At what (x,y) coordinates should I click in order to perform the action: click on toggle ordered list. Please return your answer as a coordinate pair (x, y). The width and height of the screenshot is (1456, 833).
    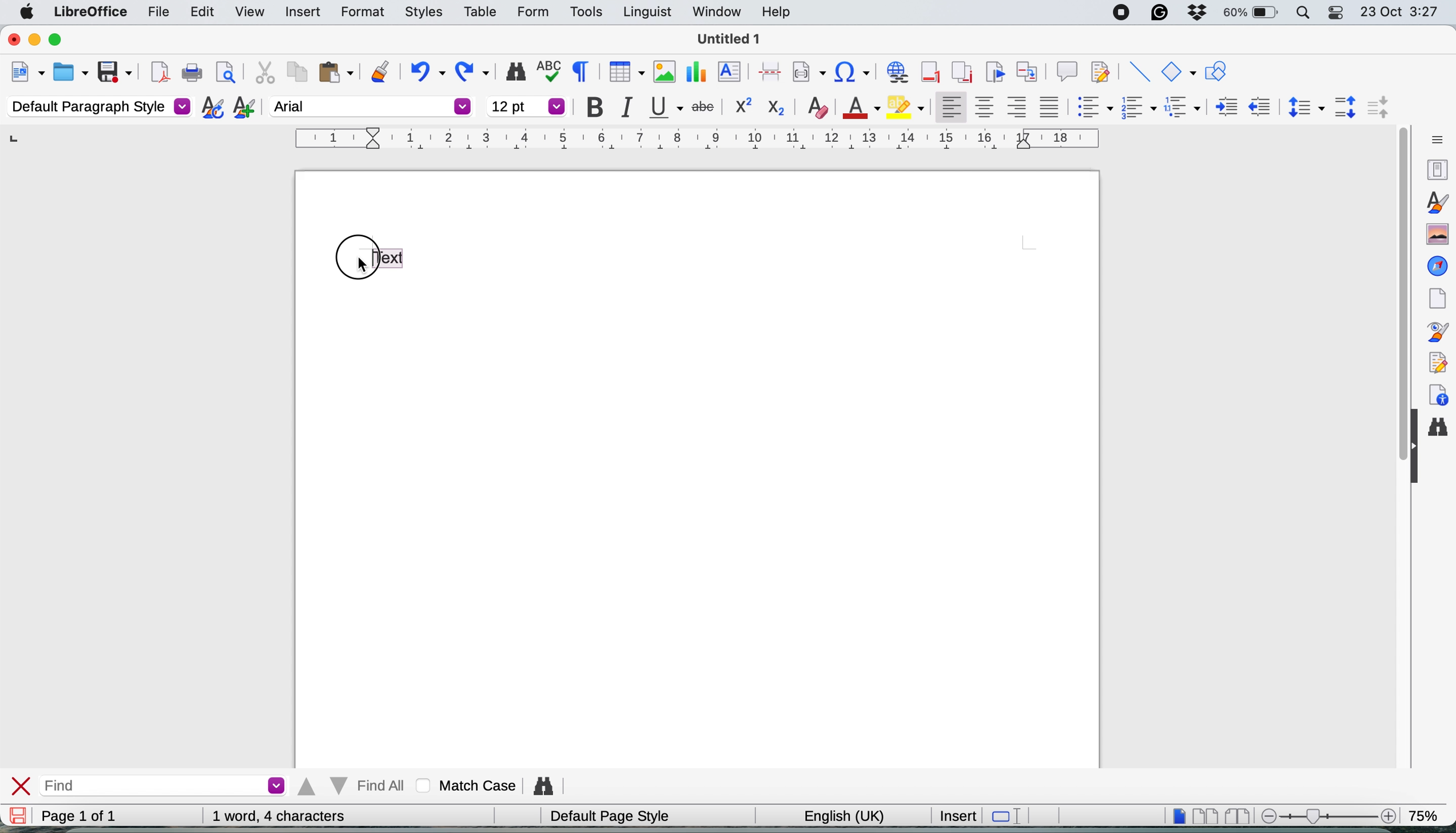
    Looking at the image, I should click on (1139, 109).